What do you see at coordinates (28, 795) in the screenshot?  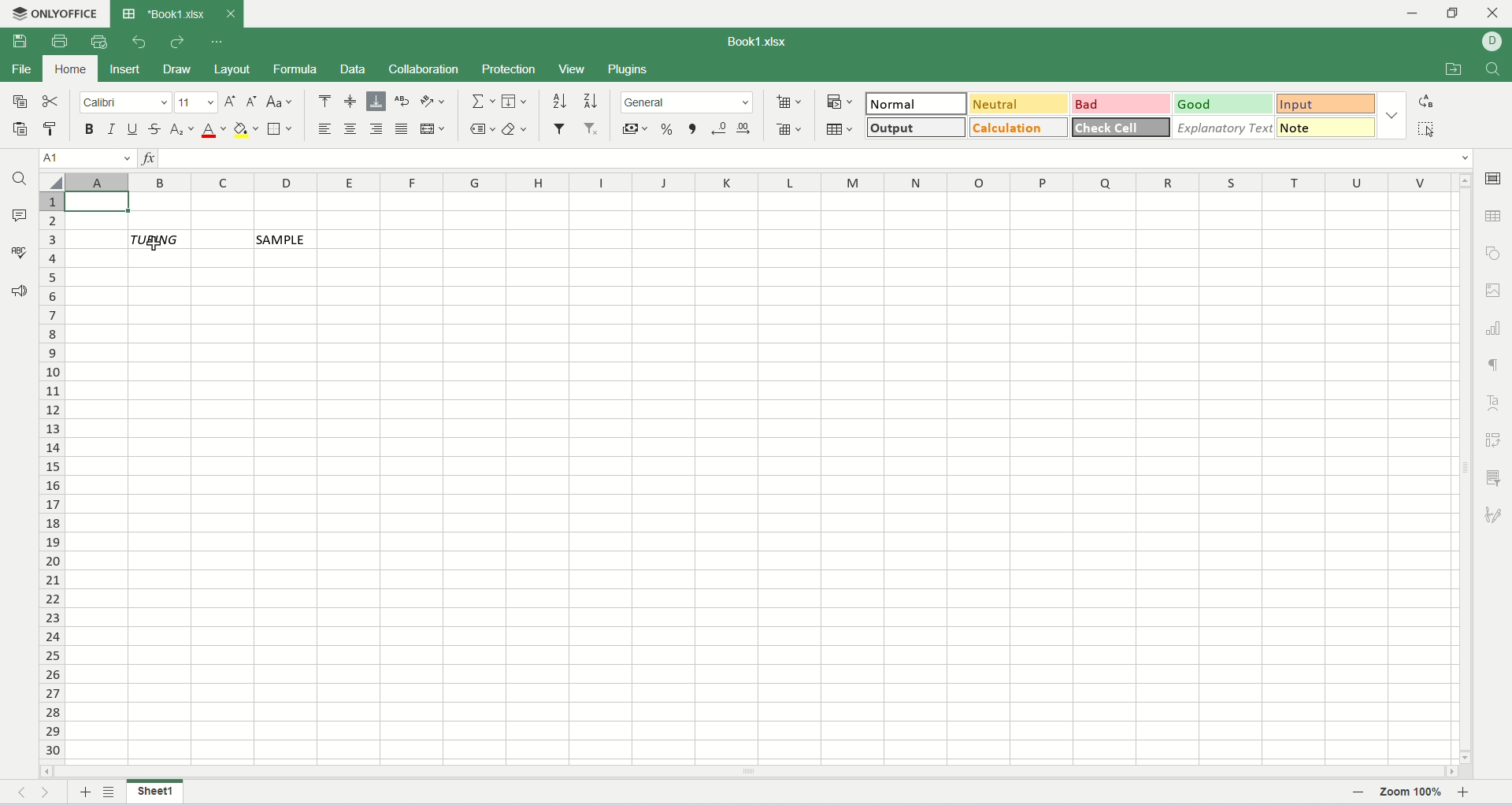 I see `previous` at bounding box center [28, 795].